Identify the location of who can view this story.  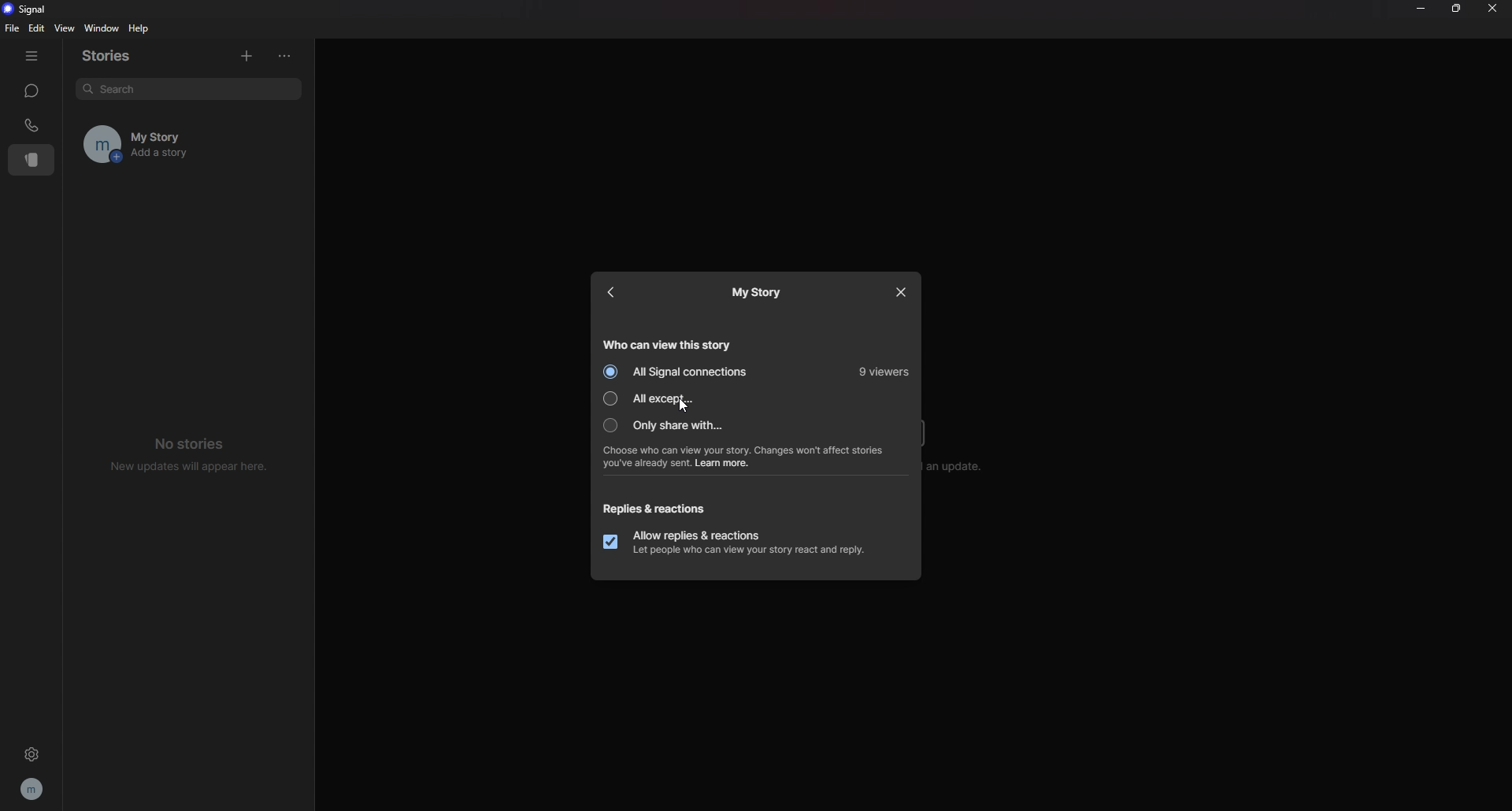
(672, 343).